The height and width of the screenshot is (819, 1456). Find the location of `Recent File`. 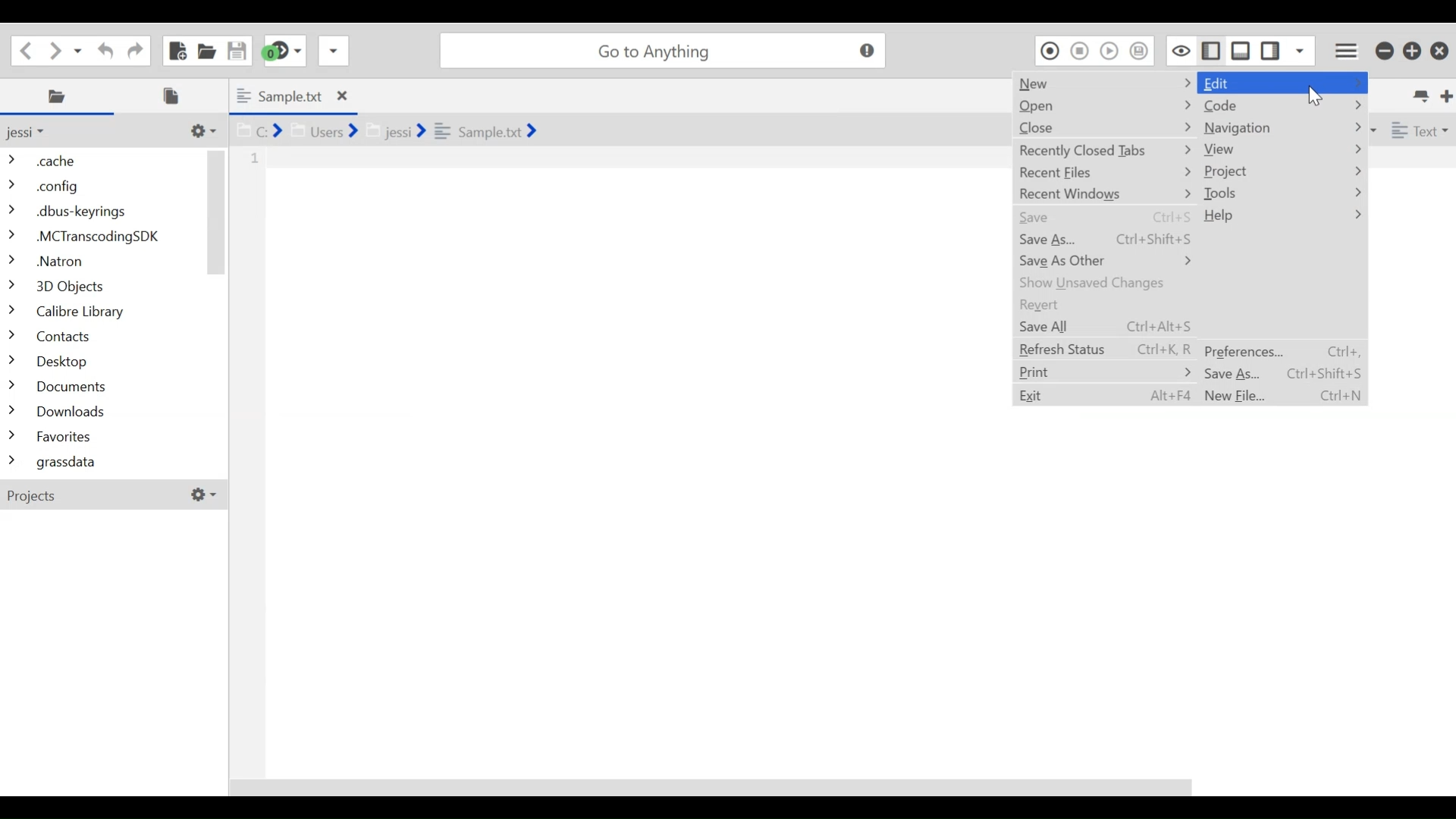

Recent File is located at coordinates (1103, 174).